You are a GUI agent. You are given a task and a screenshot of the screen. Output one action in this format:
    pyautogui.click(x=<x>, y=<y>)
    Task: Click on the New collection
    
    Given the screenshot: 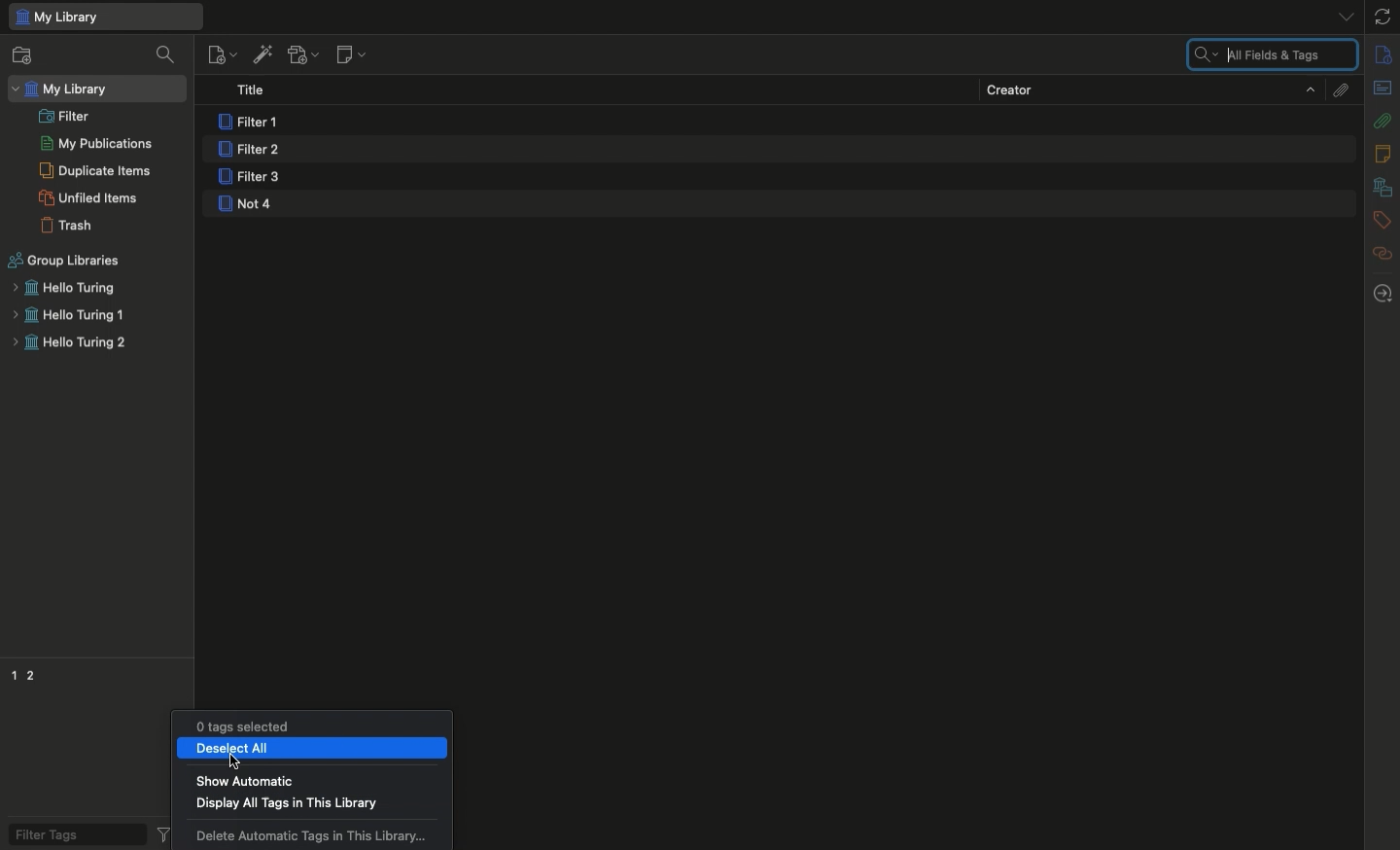 What is the action you would take?
    pyautogui.click(x=22, y=57)
    